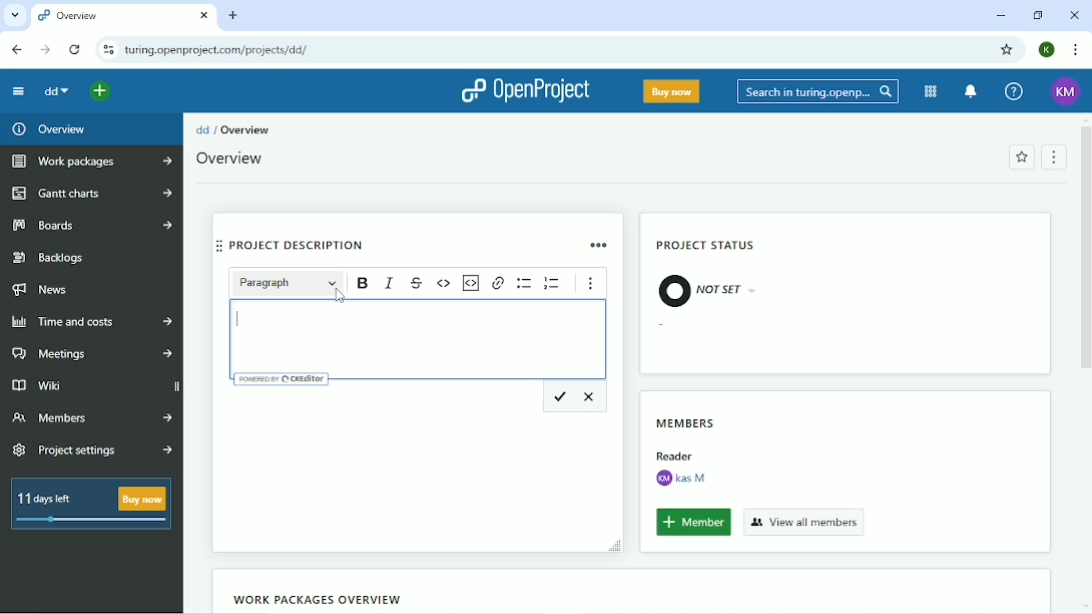 Image resolution: width=1092 pixels, height=614 pixels. What do you see at coordinates (1085, 254) in the screenshot?
I see `Vertical scrollbar` at bounding box center [1085, 254].